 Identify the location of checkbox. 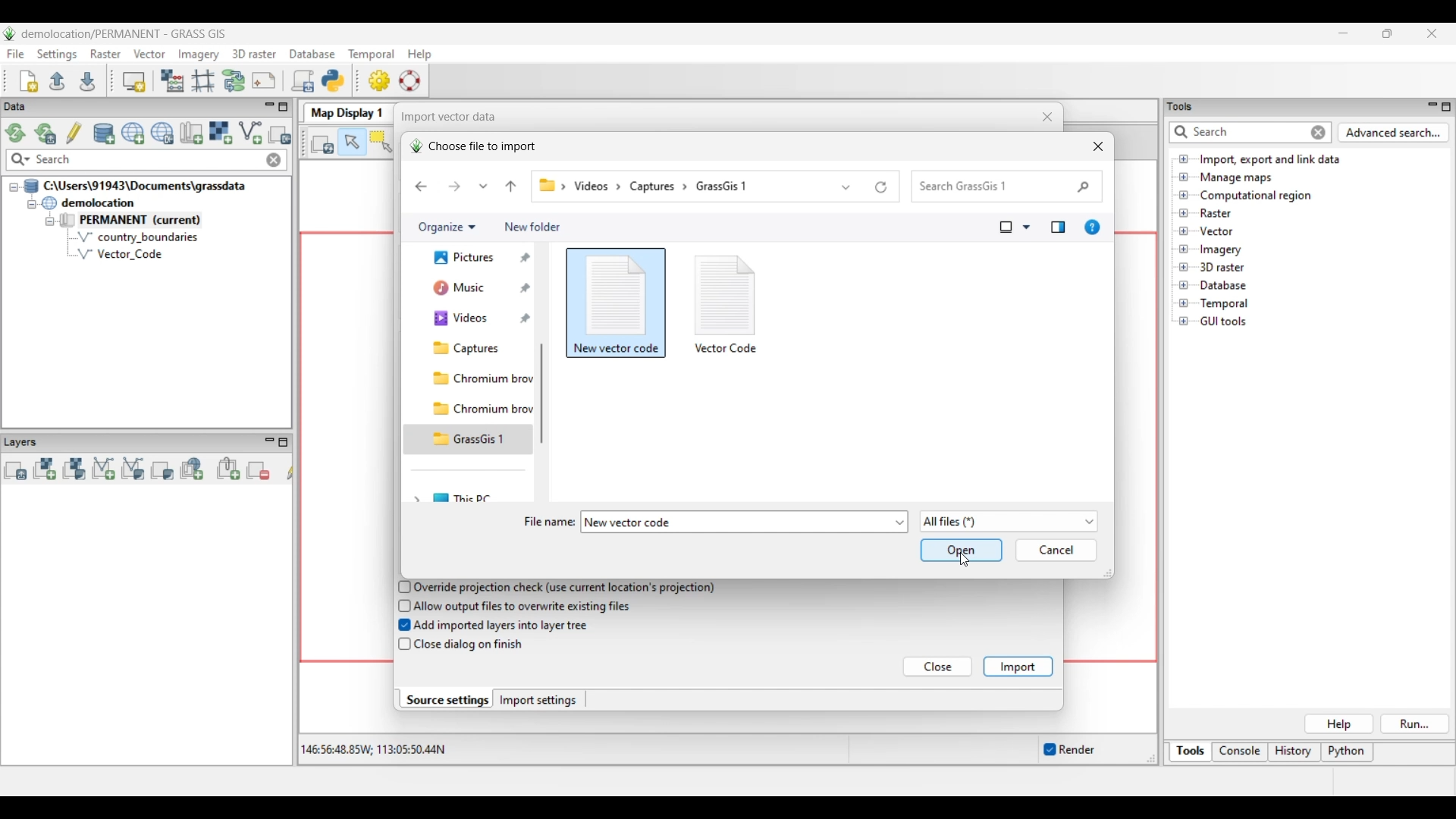
(403, 645).